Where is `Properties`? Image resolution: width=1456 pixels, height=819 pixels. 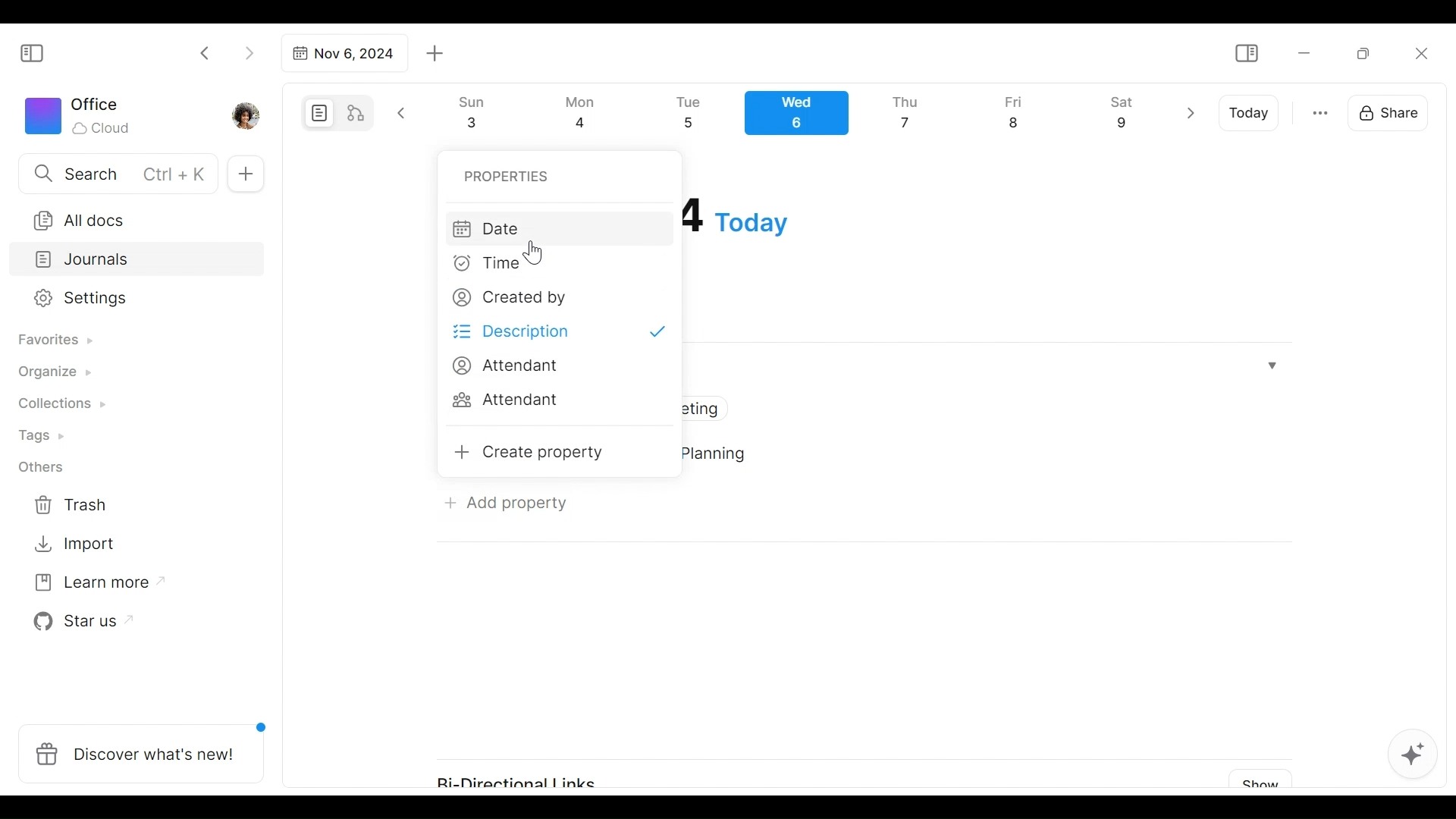 Properties is located at coordinates (508, 175).